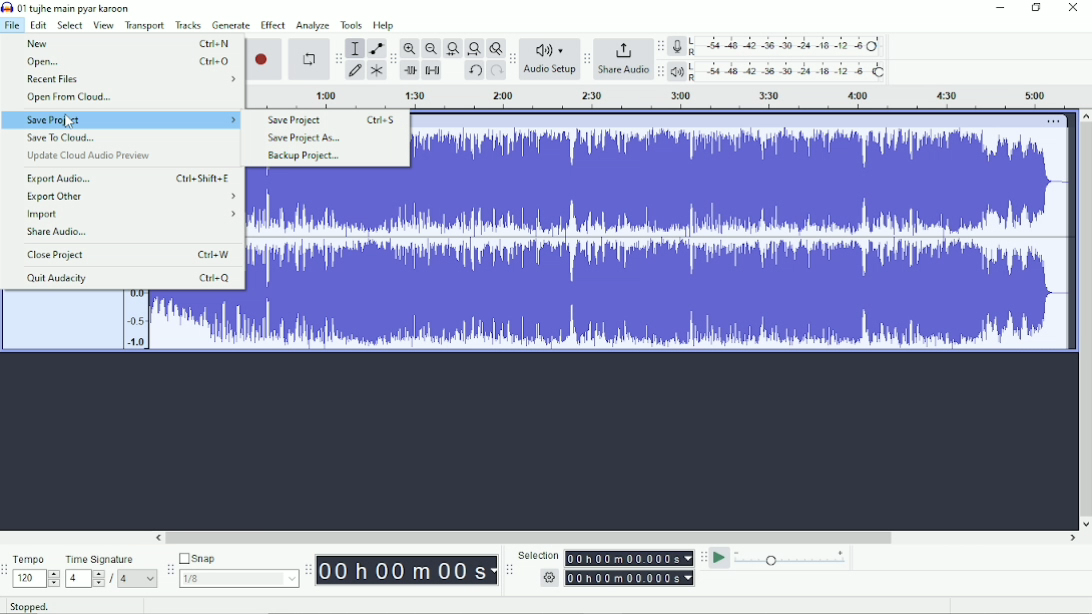 This screenshot has width=1092, height=614. Describe the element at coordinates (266, 58) in the screenshot. I see `Record` at that location.